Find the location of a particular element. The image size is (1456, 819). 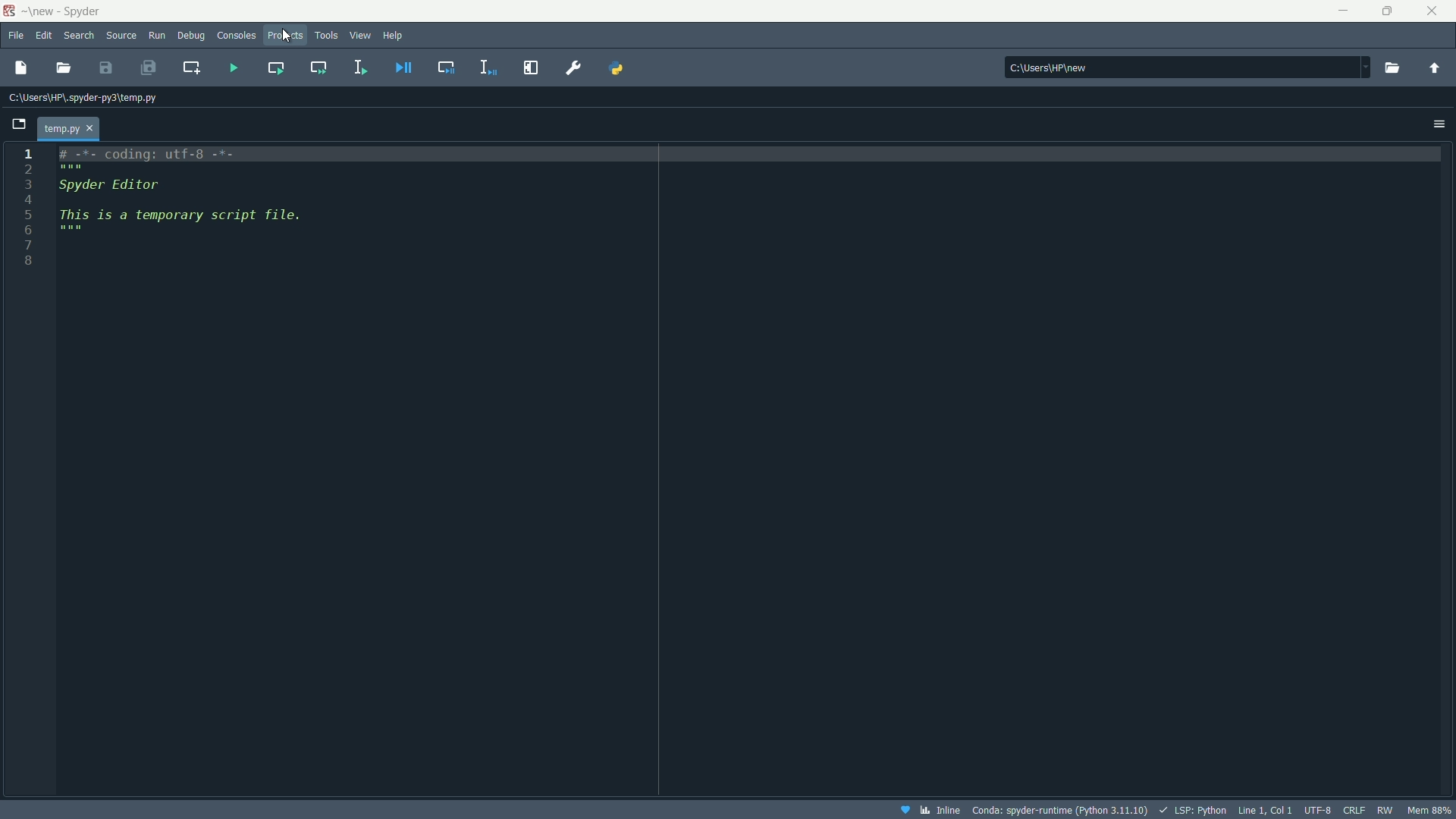

Minimize is located at coordinates (1339, 11).